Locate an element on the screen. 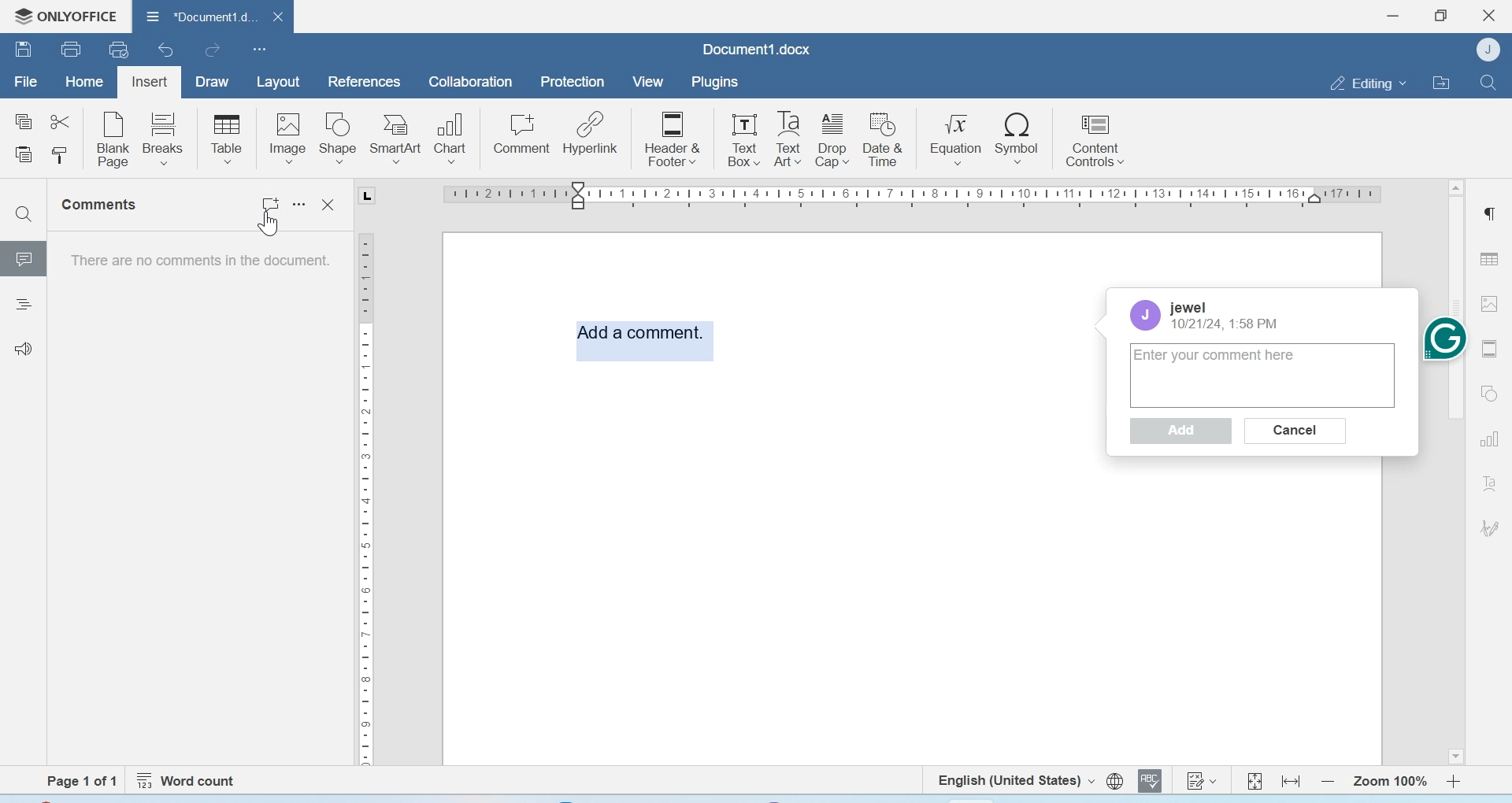 This screenshot has width=1512, height=803. Graphs is located at coordinates (1489, 439).